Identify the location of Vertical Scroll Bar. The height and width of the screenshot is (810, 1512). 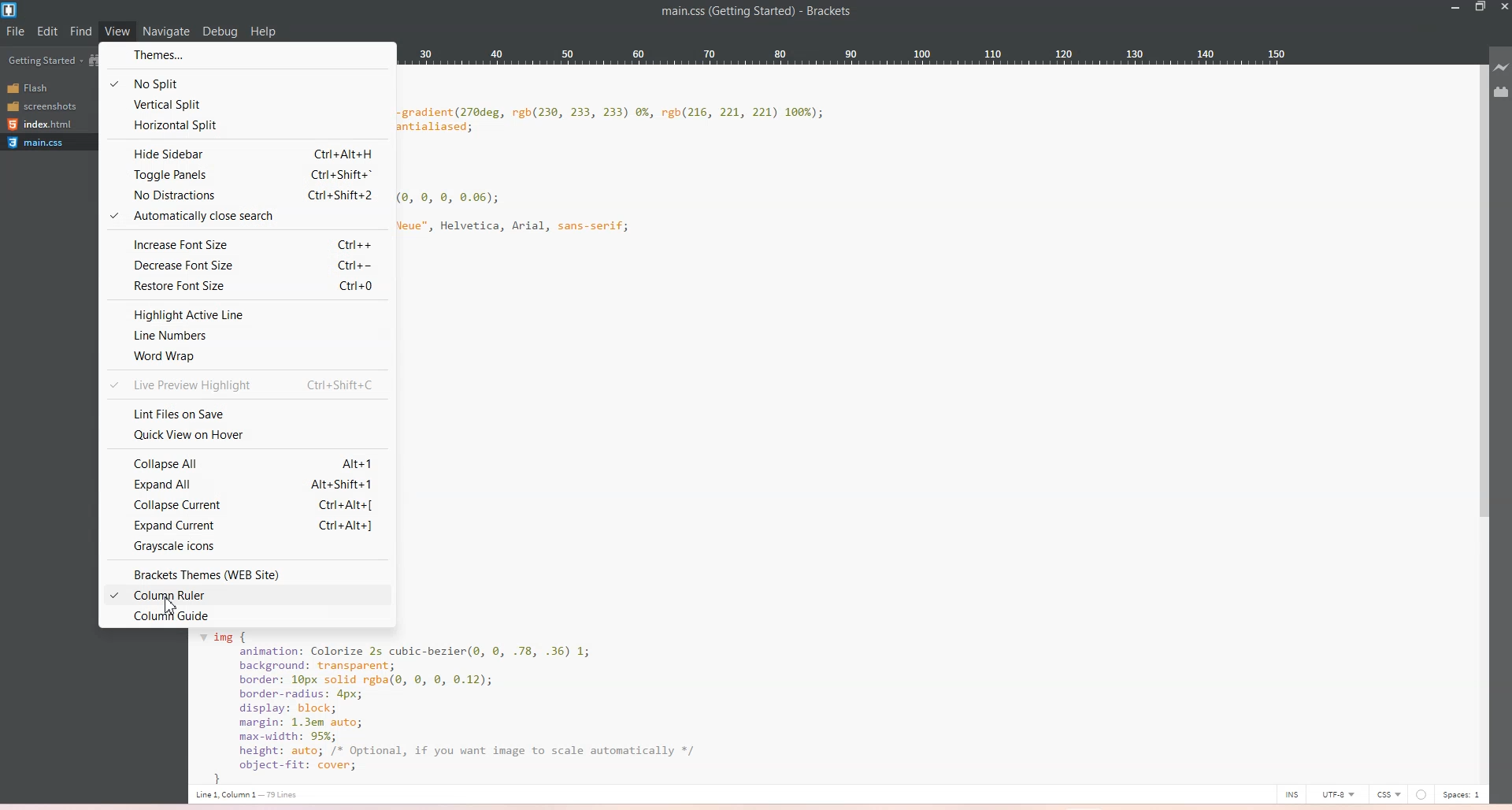
(1481, 421).